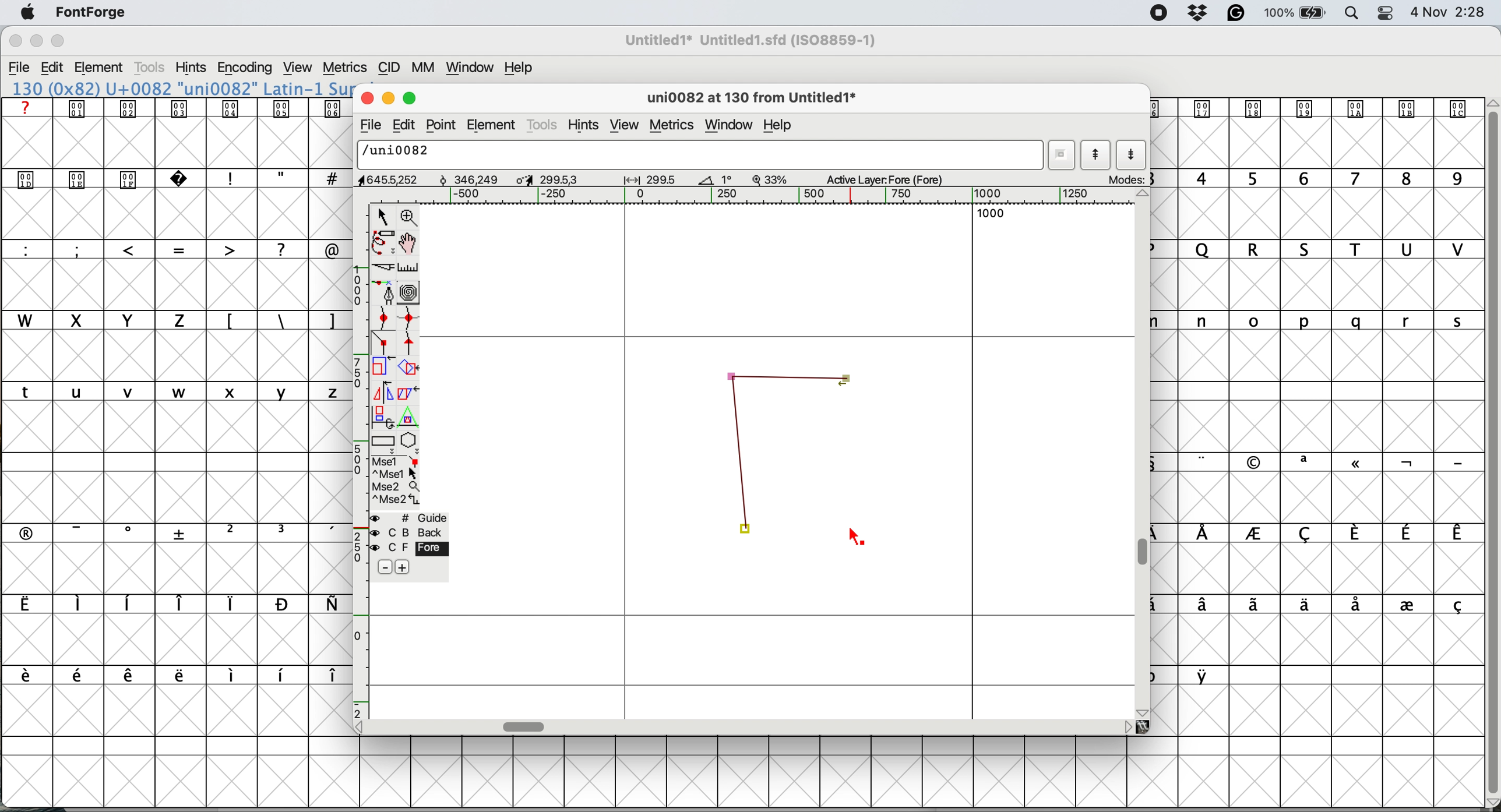 Image resolution: width=1501 pixels, height=812 pixels. I want to click on current word list, so click(1060, 155).